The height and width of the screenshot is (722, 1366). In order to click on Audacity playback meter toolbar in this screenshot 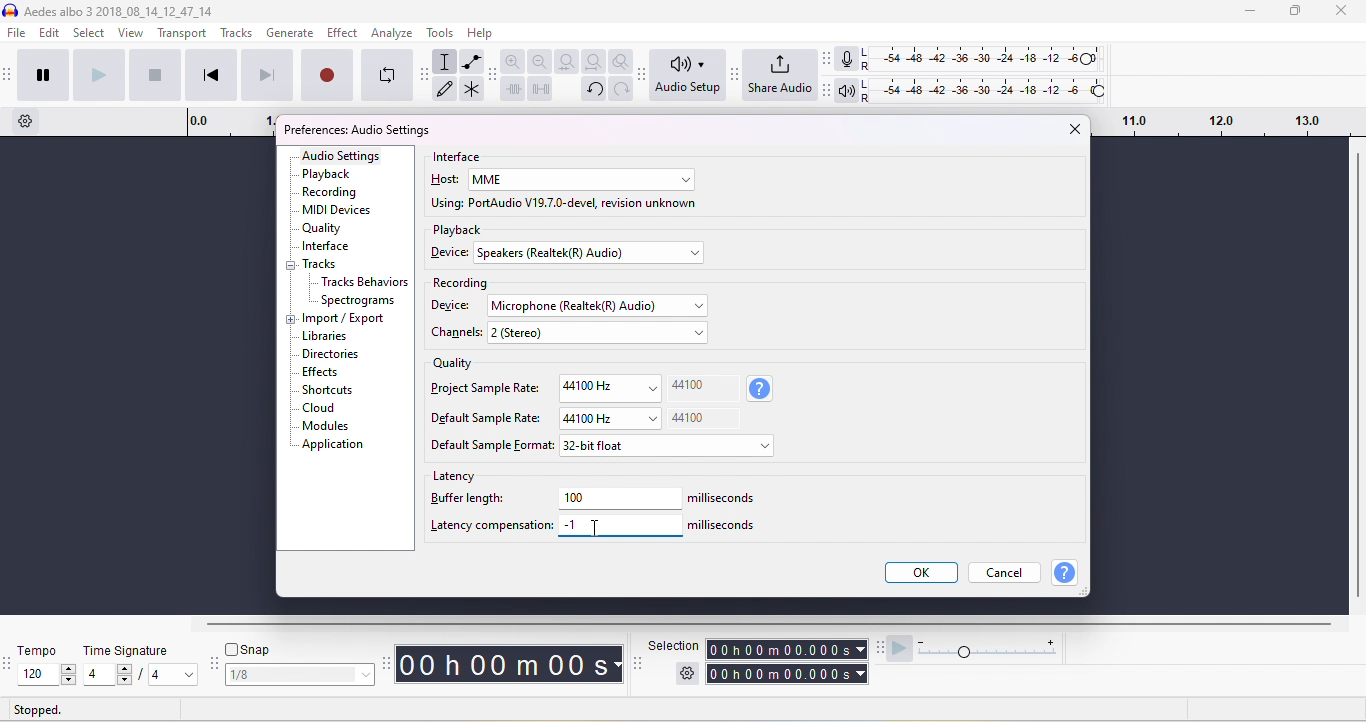, I will do `click(828, 91)`.